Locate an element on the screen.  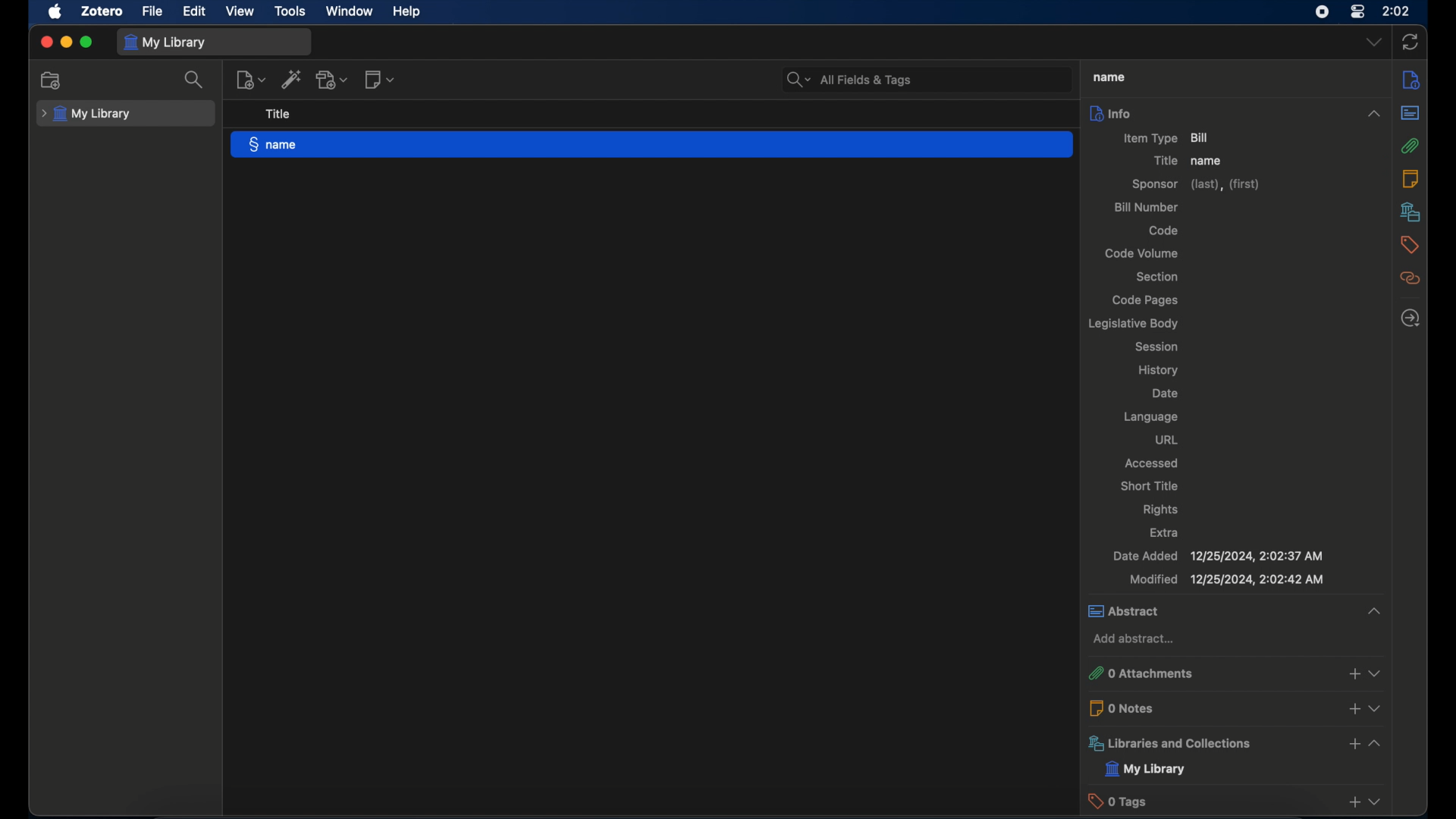
related is located at coordinates (1409, 278).